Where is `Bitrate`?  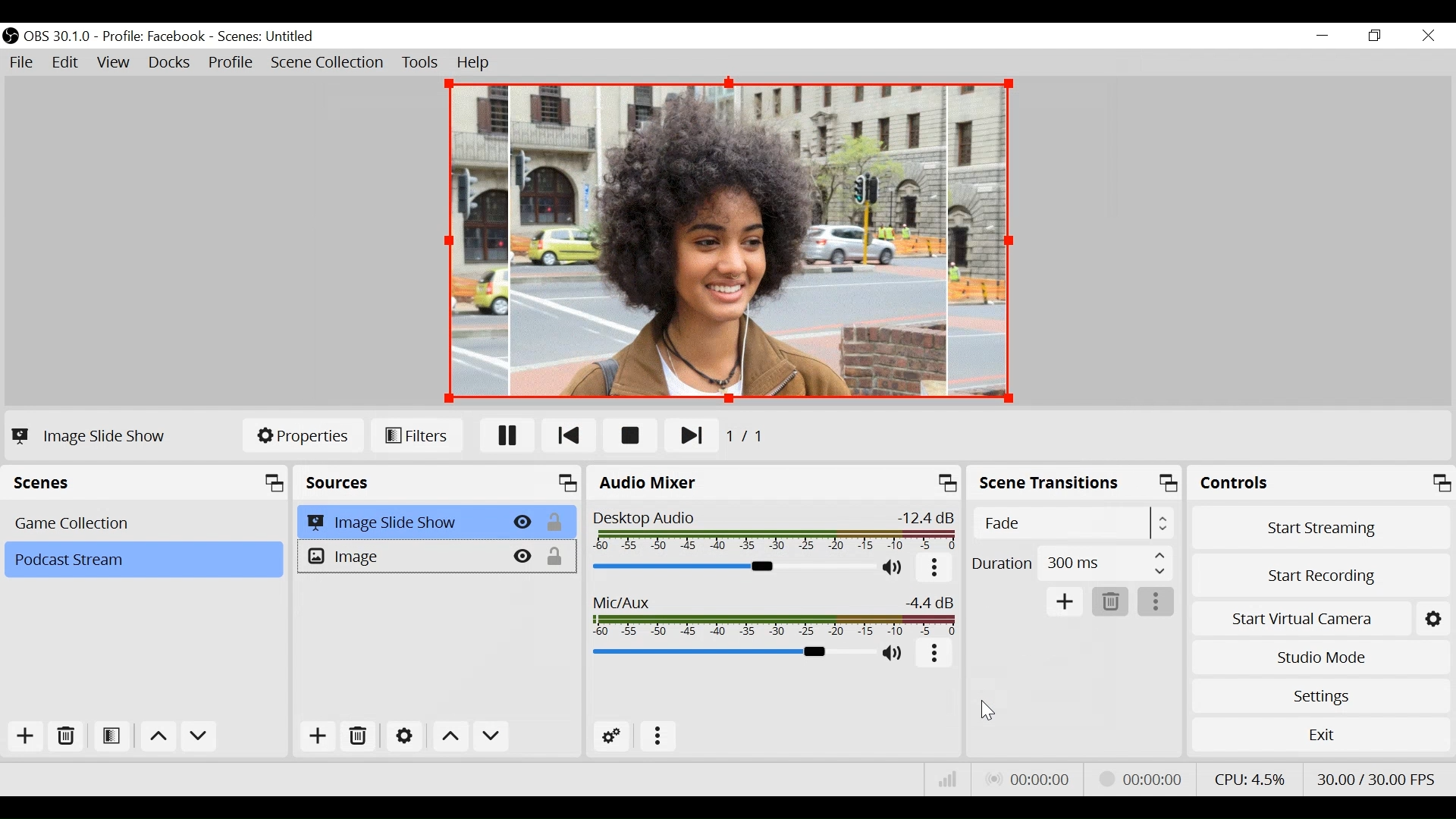
Bitrate is located at coordinates (948, 780).